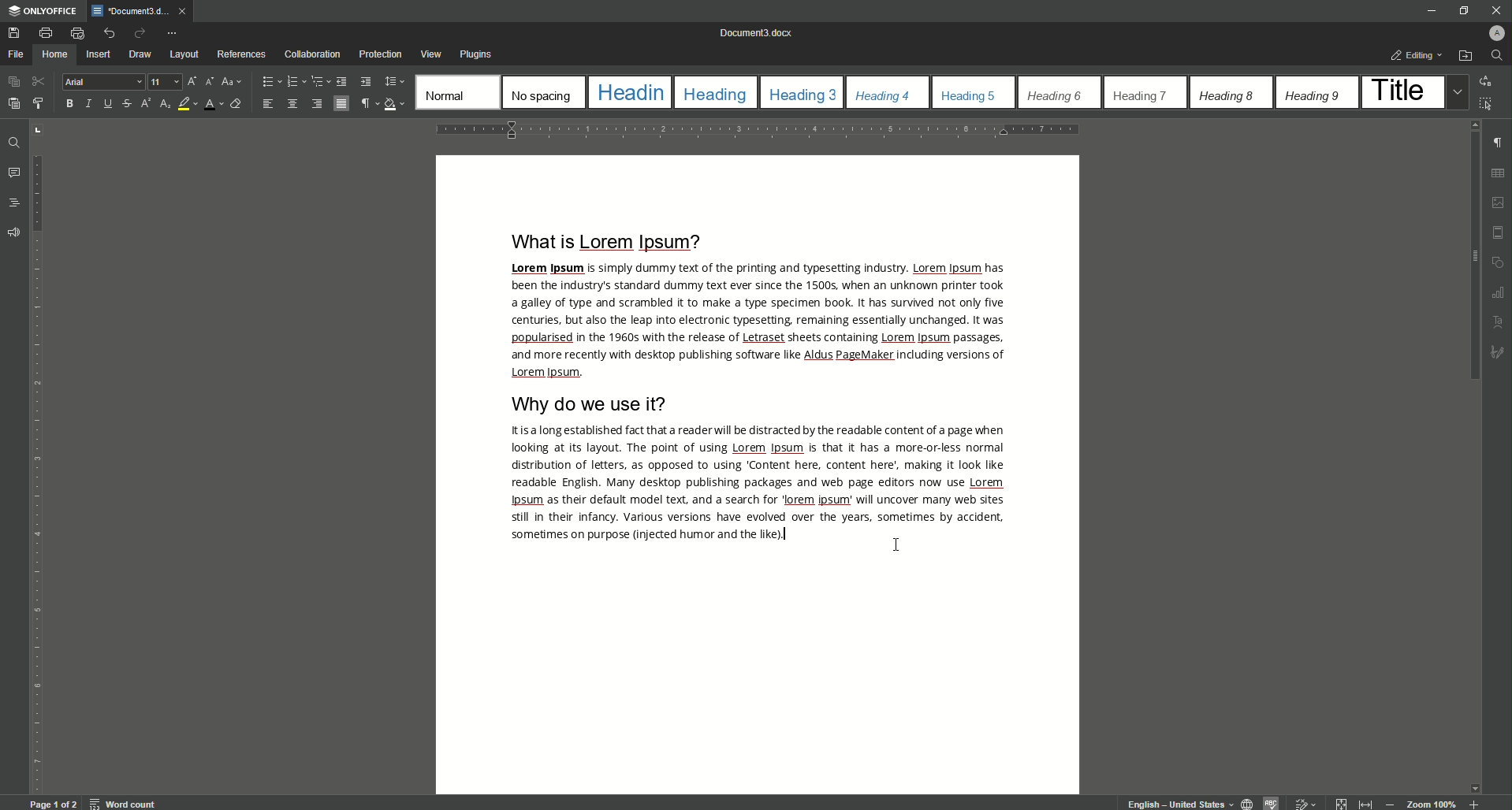 This screenshot has width=1512, height=810. Describe the element at coordinates (121, 804) in the screenshot. I see `word count` at that location.